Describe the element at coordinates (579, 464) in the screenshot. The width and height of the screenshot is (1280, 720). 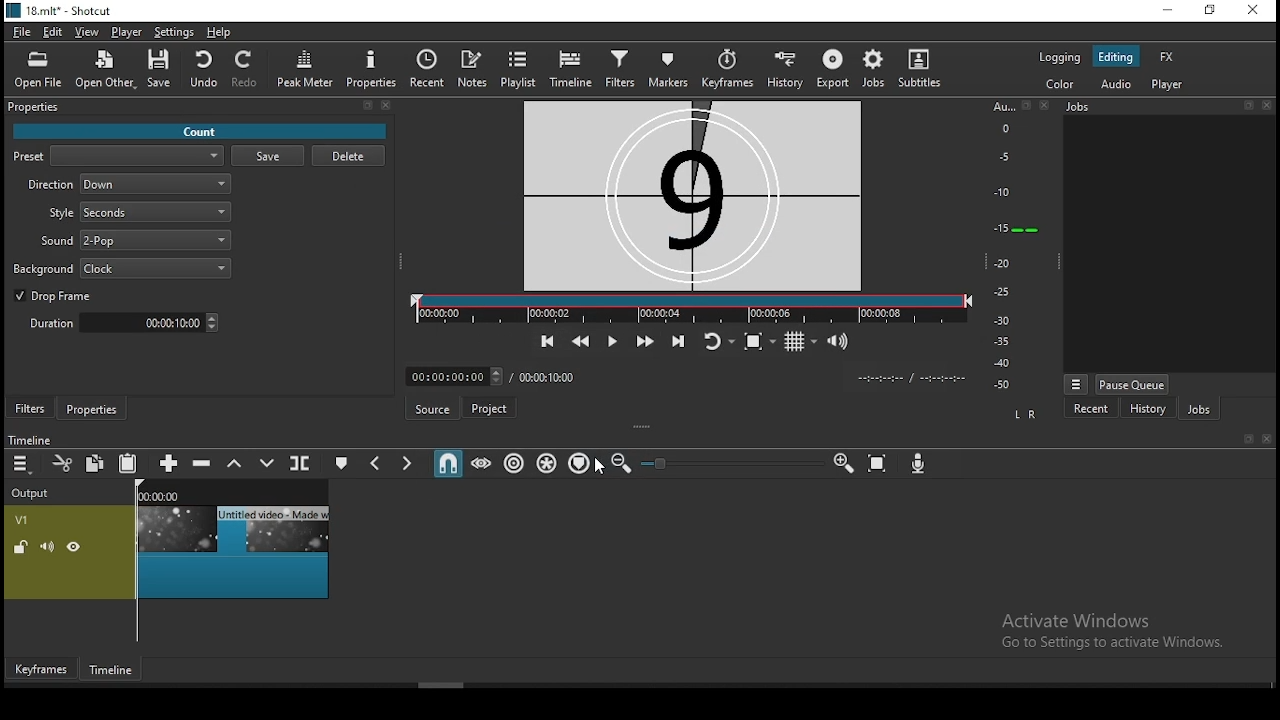
I see `ripple markers` at that location.